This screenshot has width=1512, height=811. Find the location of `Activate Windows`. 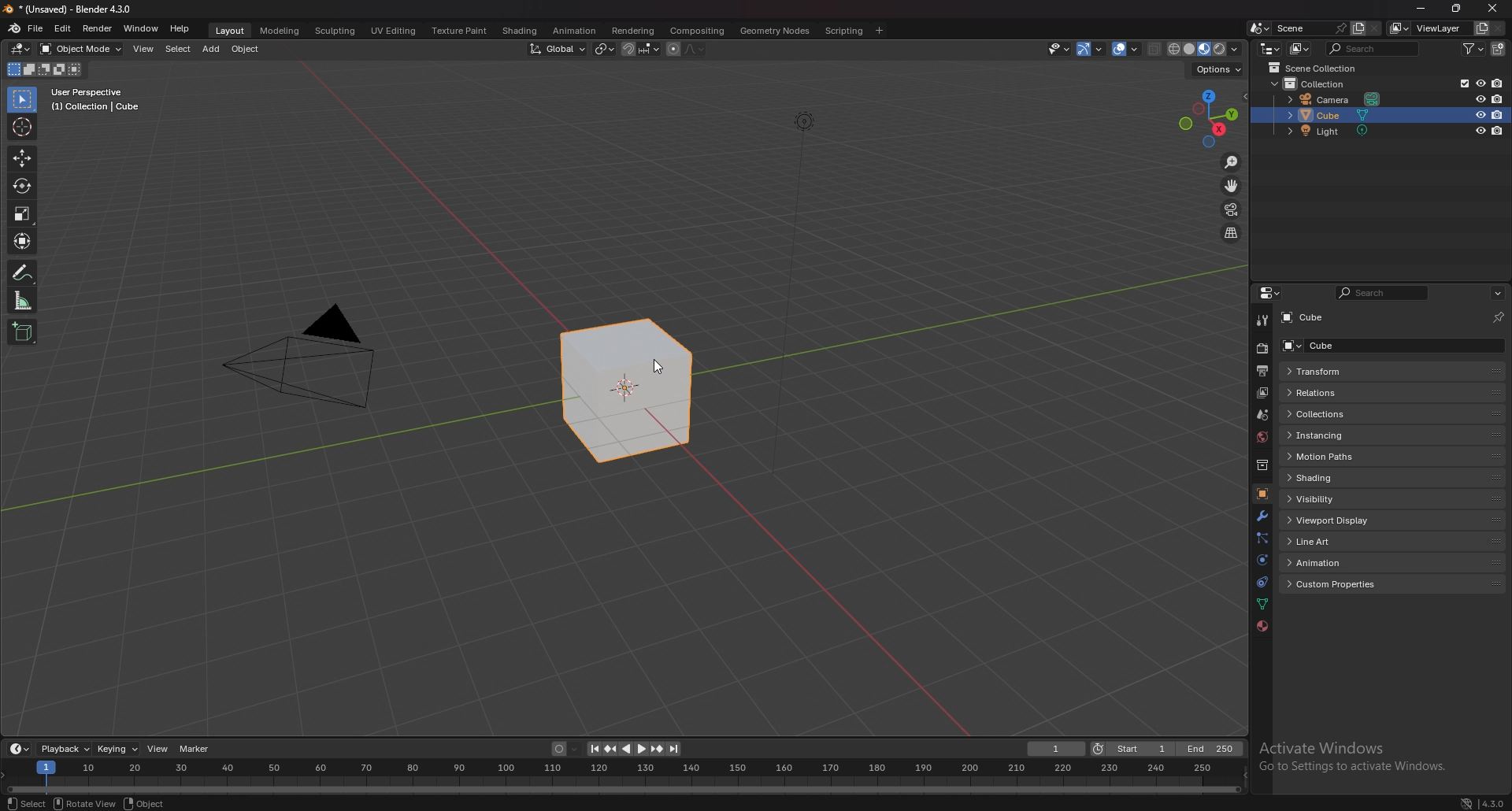

Activate Windows is located at coordinates (1367, 754).